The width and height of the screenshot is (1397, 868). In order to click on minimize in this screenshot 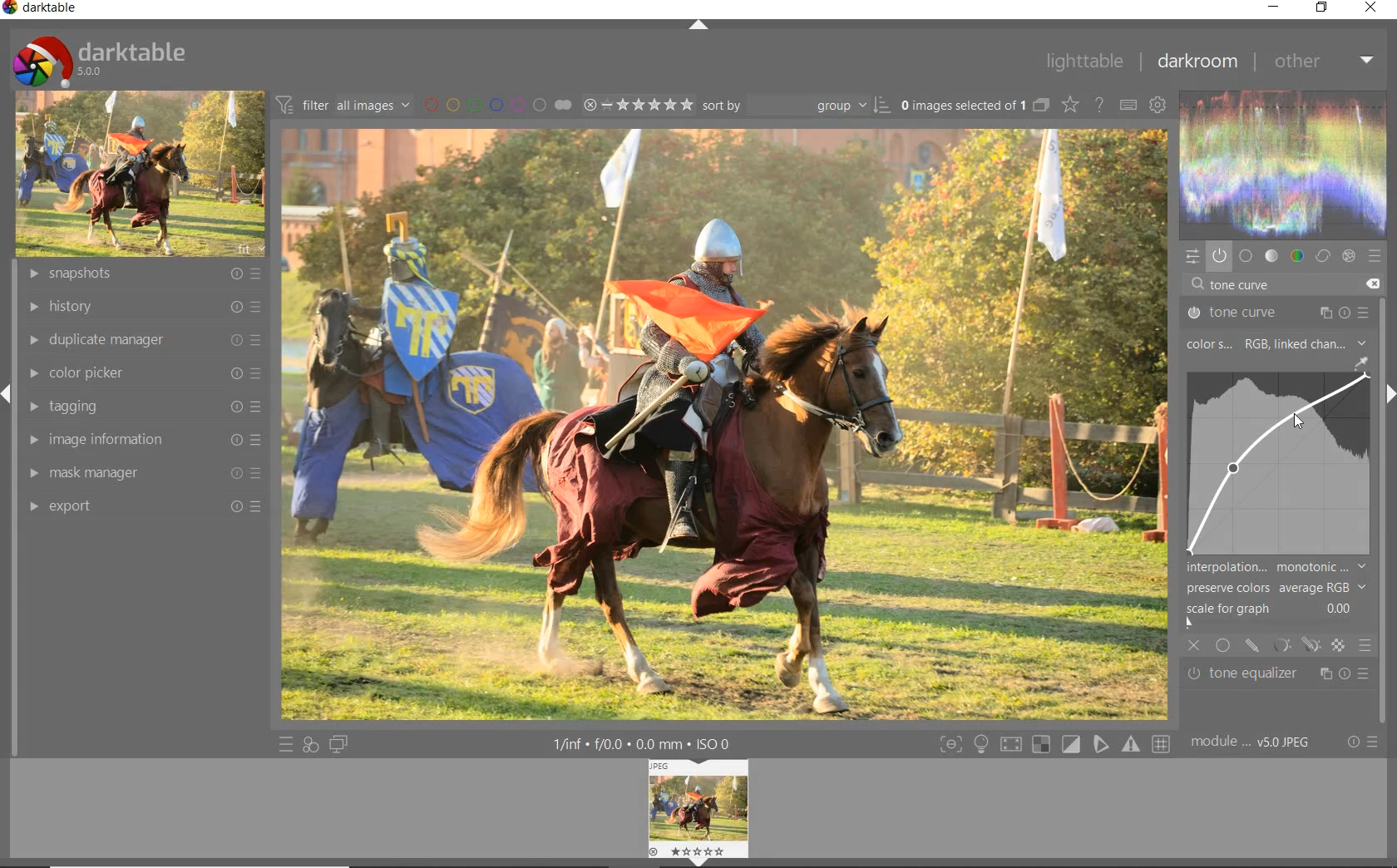, I will do `click(1276, 7)`.